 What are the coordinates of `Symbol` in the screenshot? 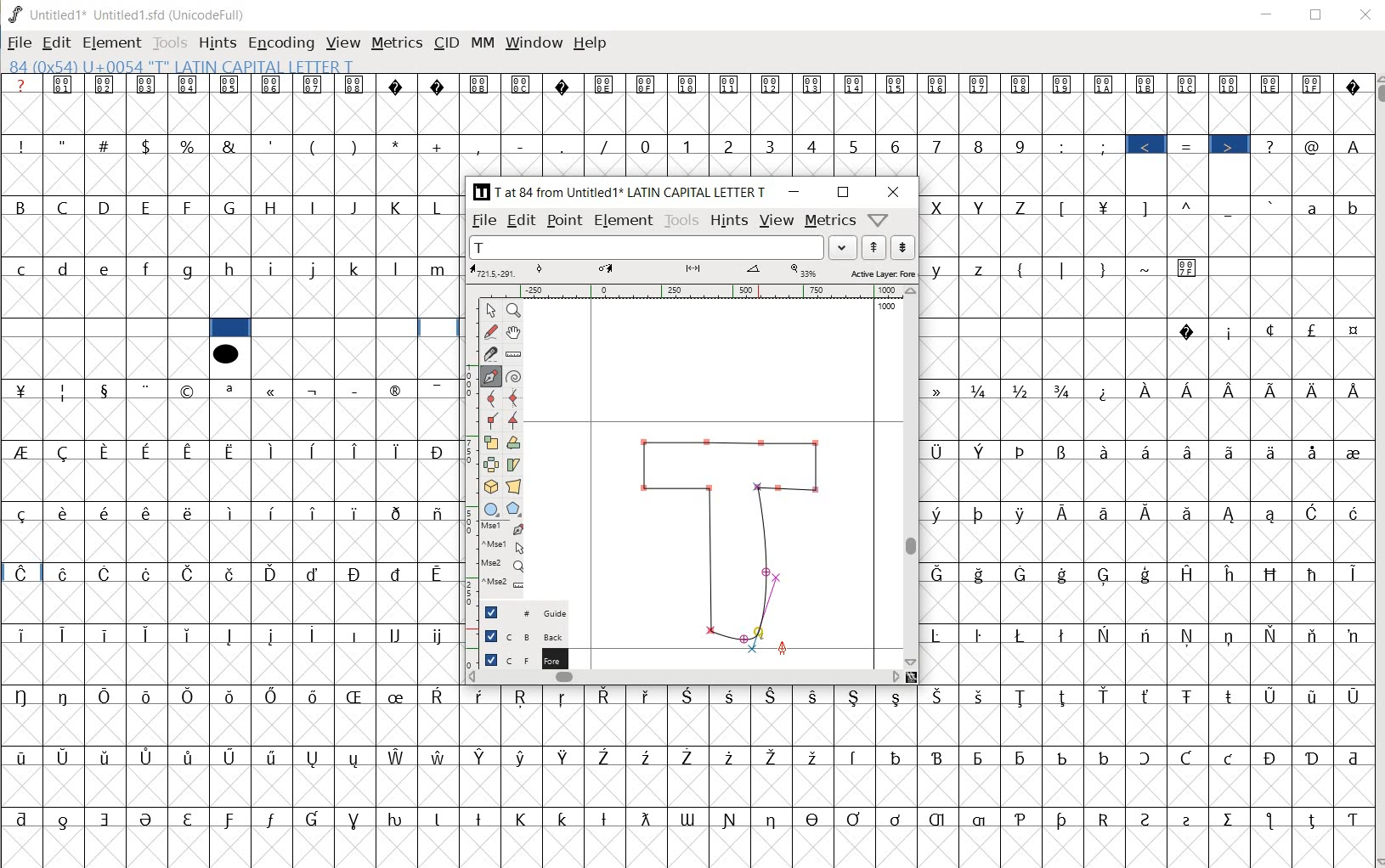 It's located at (773, 818).